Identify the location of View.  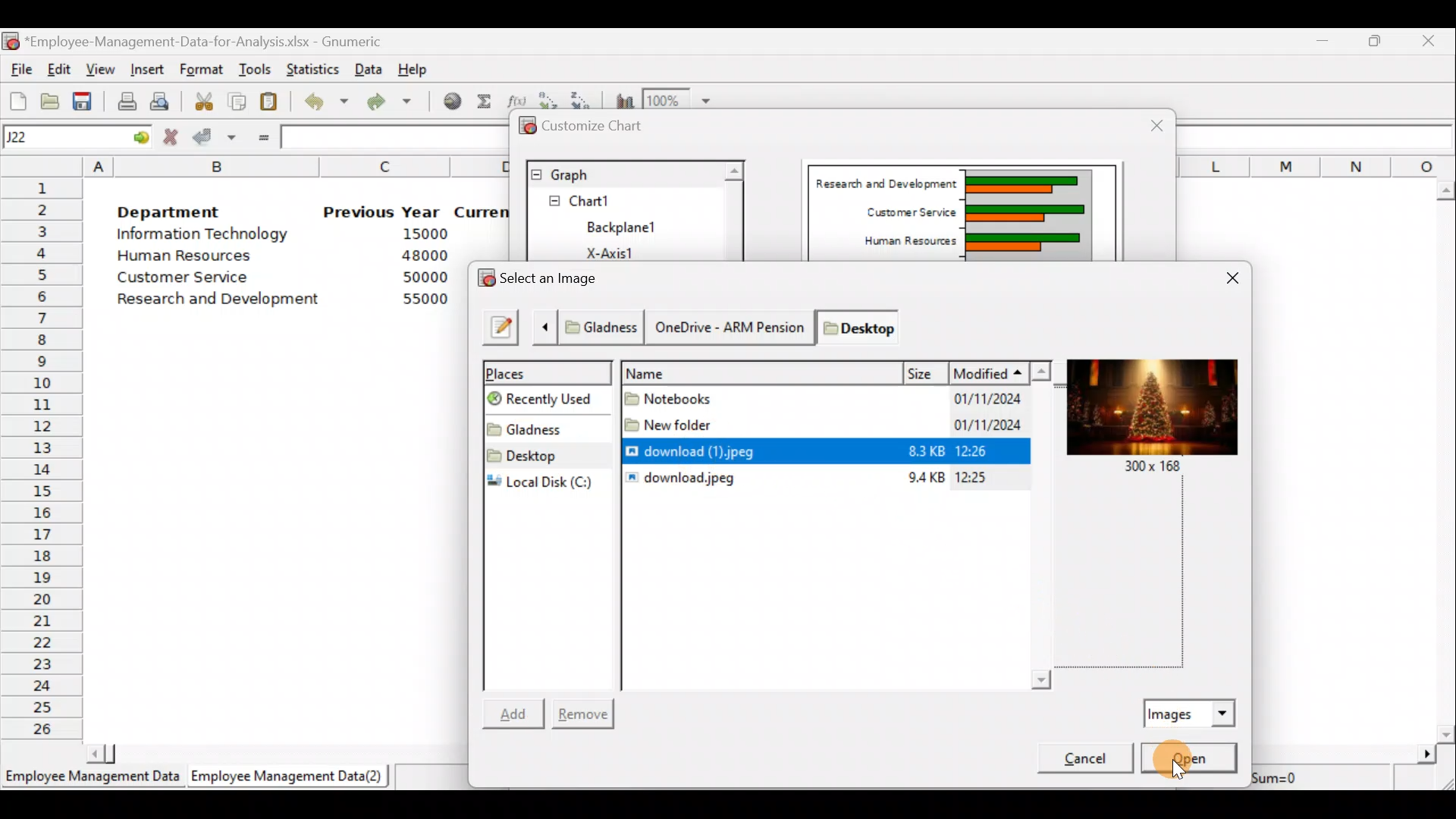
(101, 68).